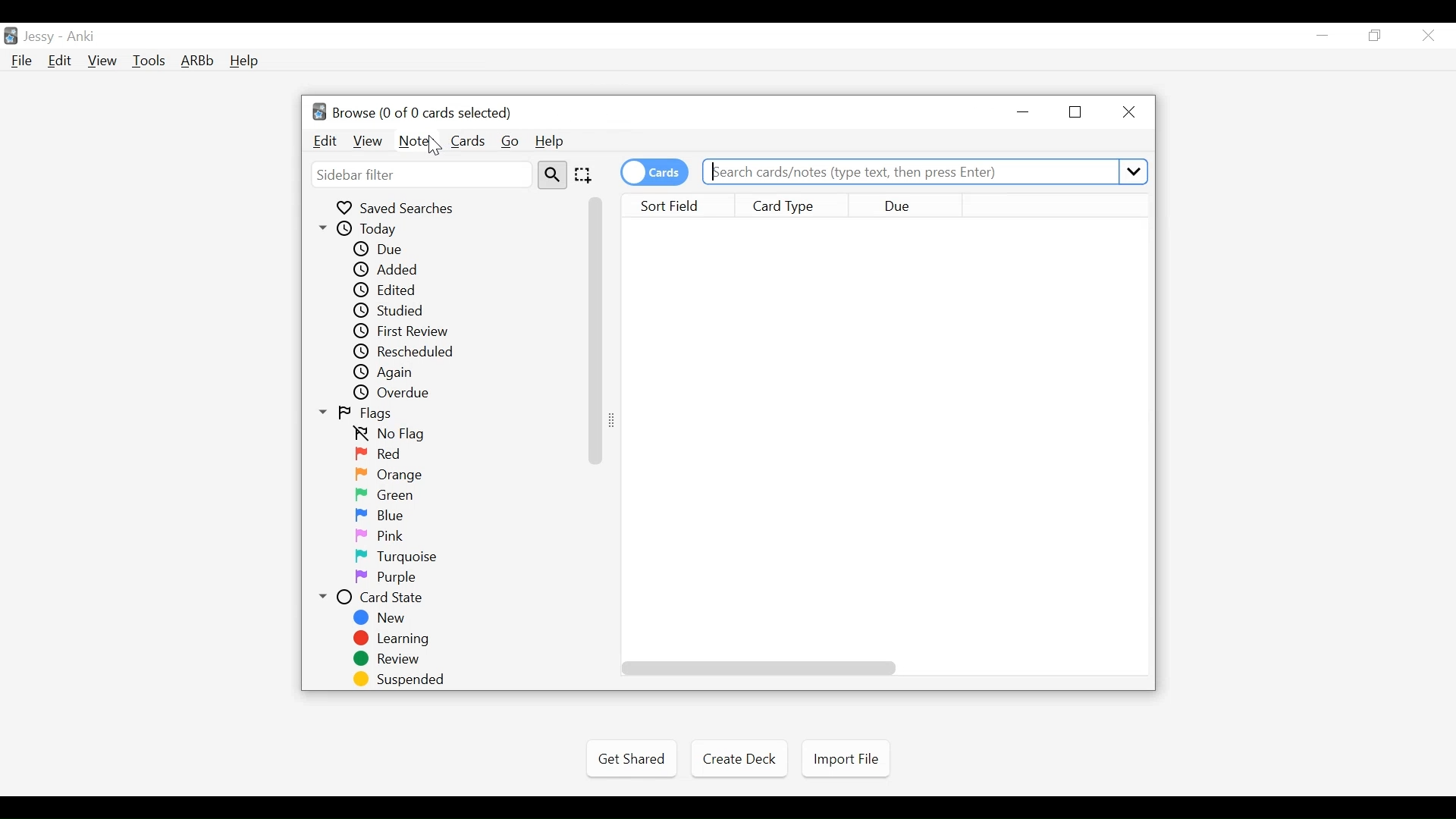 This screenshot has height=819, width=1456. Describe the element at coordinates (389, 494) in the screenshot. I see `Green` at that location.